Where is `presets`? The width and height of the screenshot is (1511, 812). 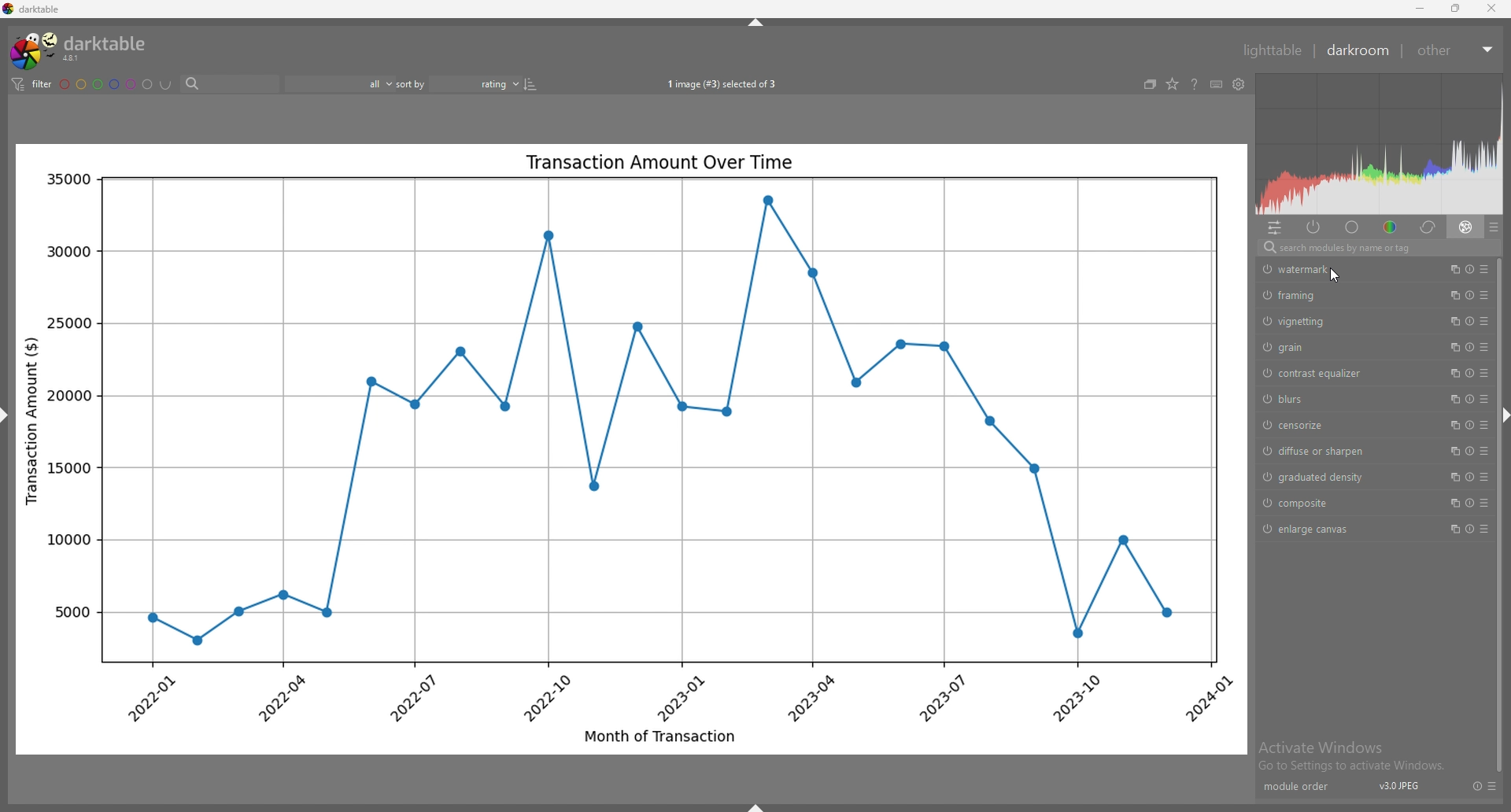
presets is located at coordinates (1483, 529).